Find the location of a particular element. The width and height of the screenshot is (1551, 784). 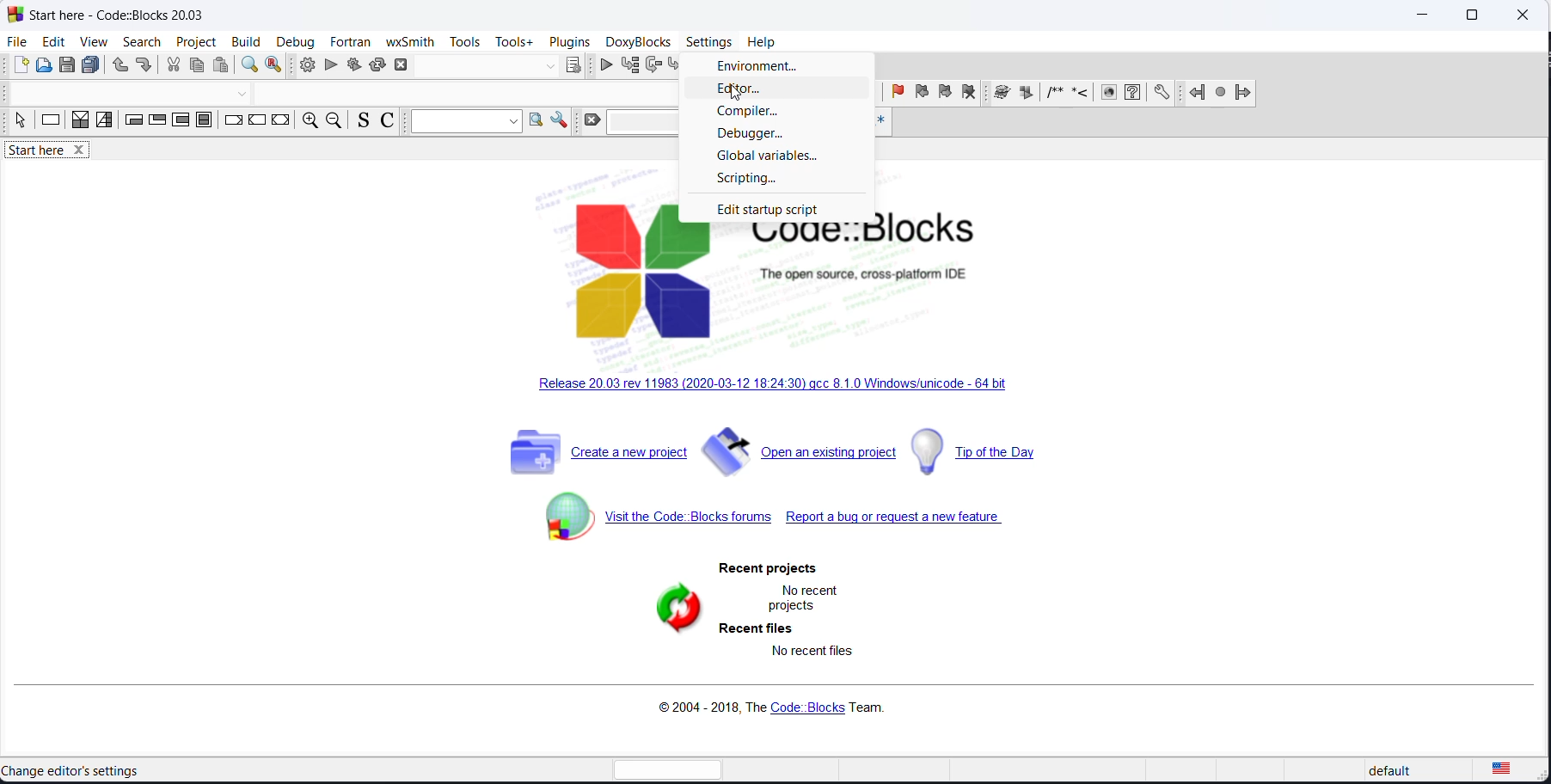

edit is located at coordinates (50, 42).